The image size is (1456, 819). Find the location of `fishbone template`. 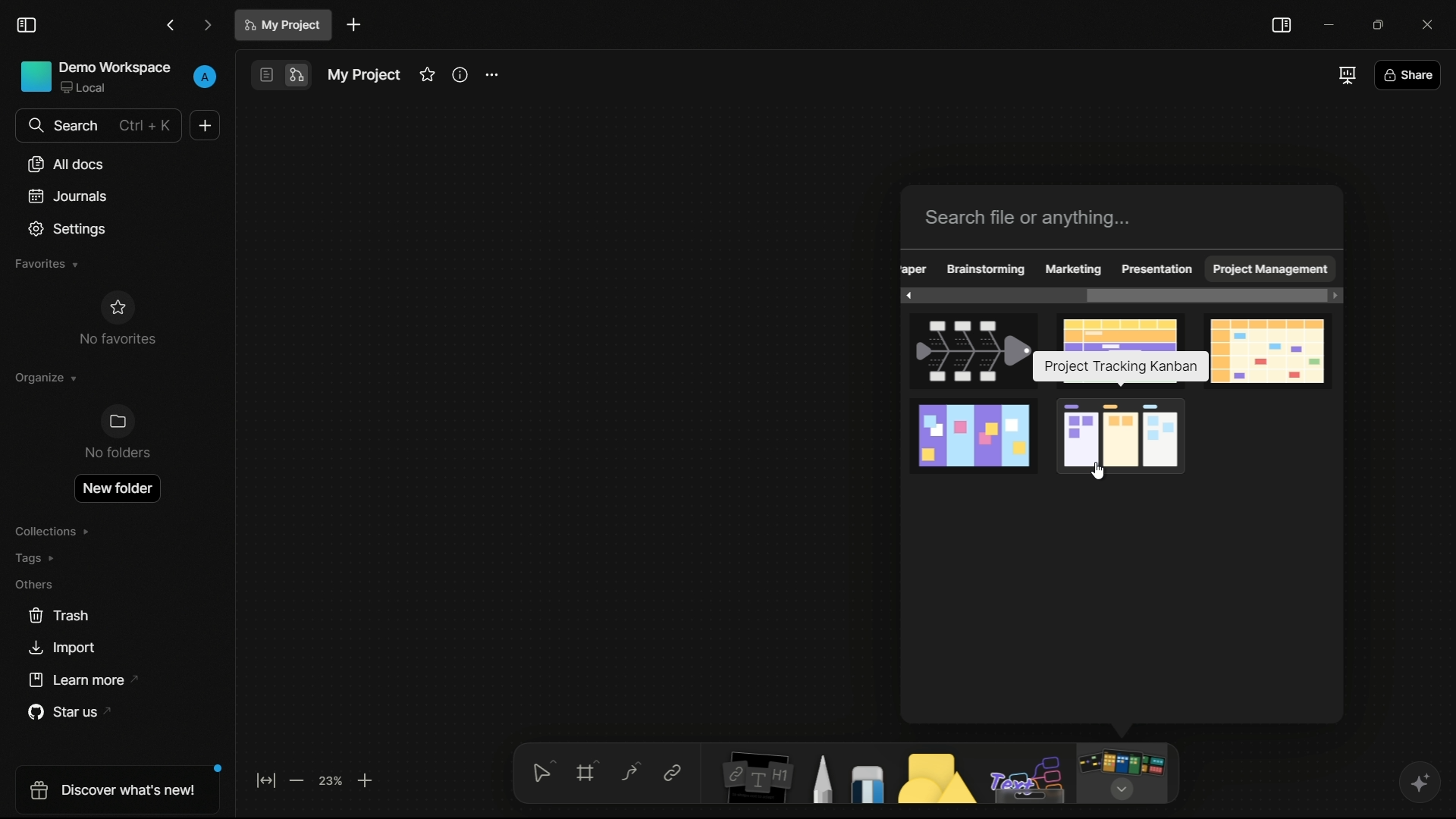

fishbone template is located at coordinates (971, 353).